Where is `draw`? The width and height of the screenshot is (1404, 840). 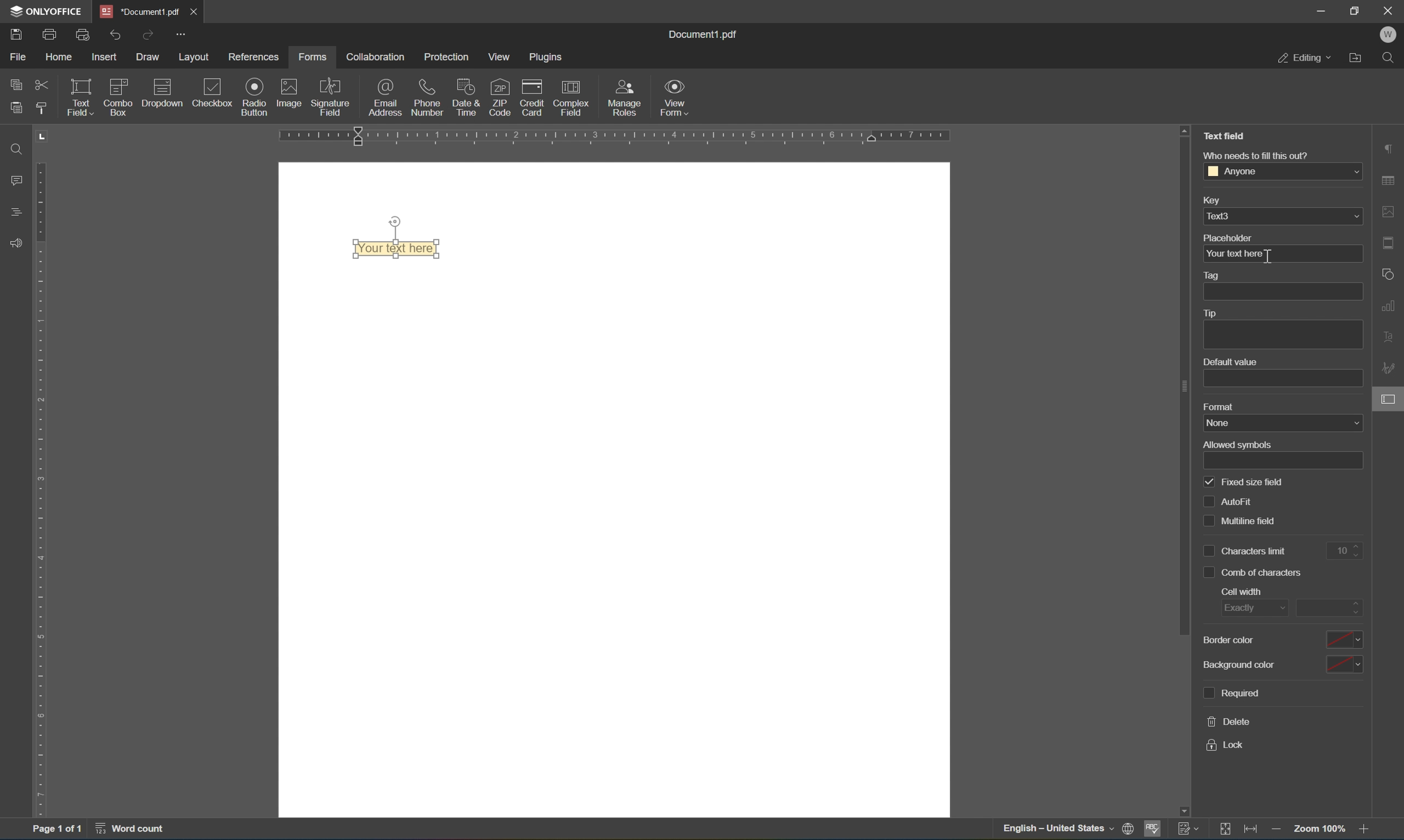
draw is located at coordinates (150, 54).